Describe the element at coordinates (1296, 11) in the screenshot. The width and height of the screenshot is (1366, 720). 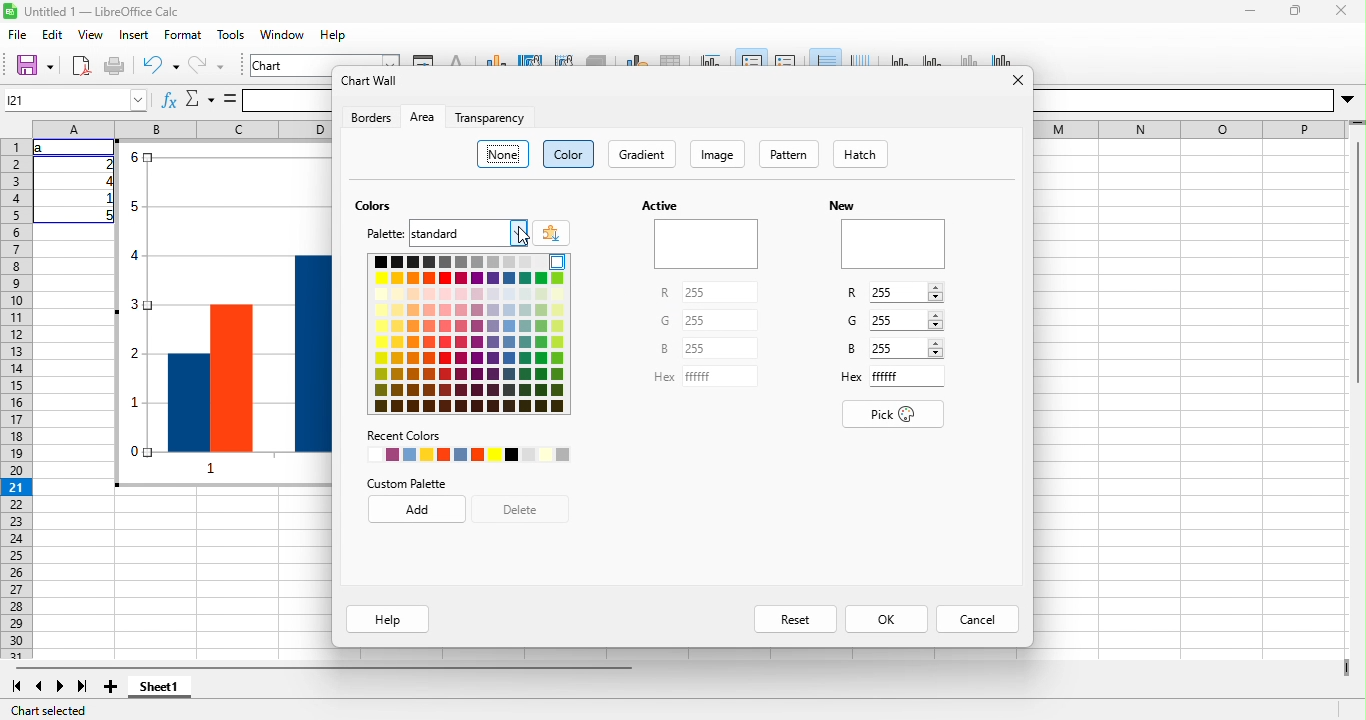
I see `maximize` at that location.